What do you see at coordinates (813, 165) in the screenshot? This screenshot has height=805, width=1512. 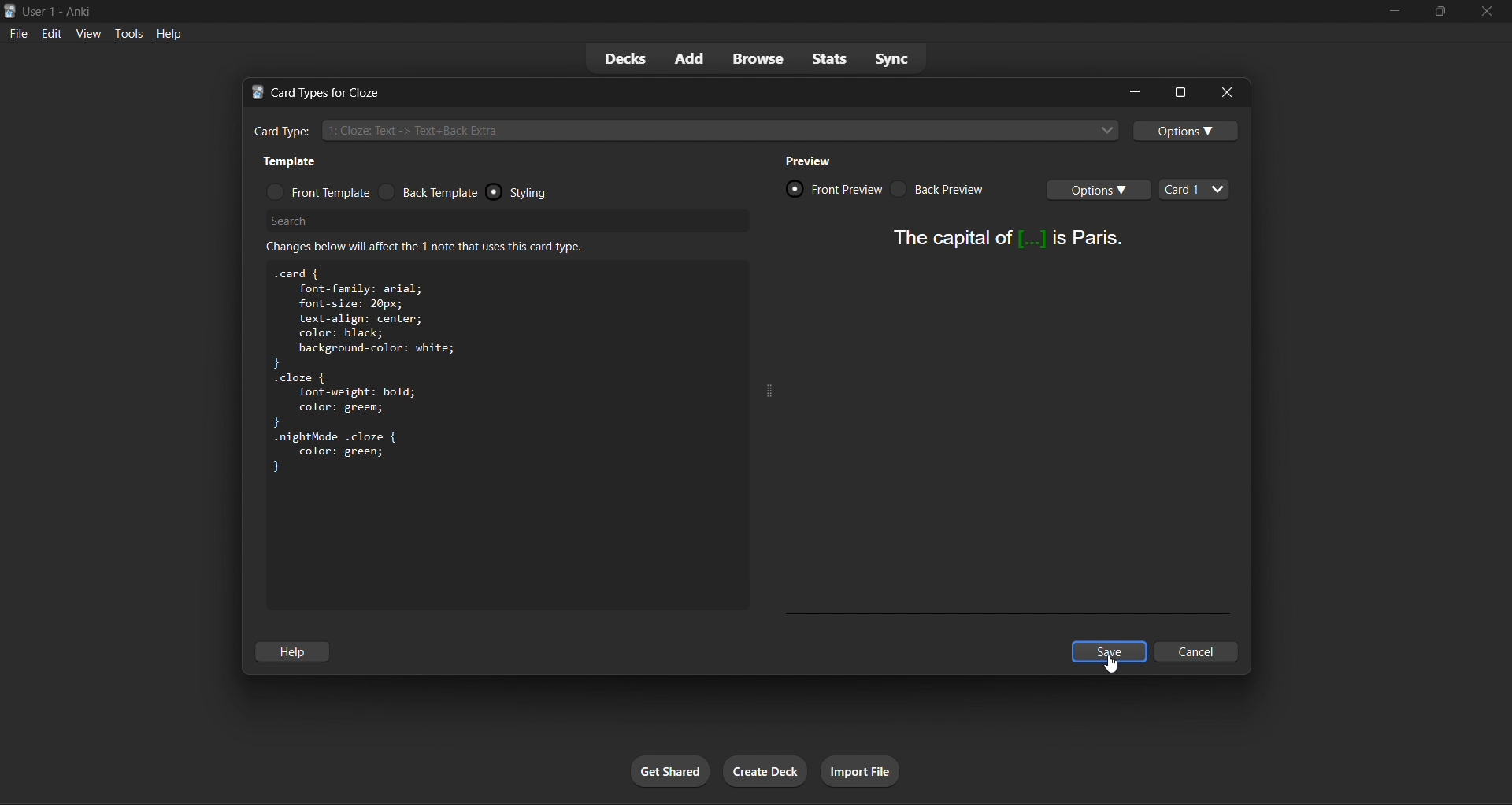 I see `preview` at bounding box center [813, 165].